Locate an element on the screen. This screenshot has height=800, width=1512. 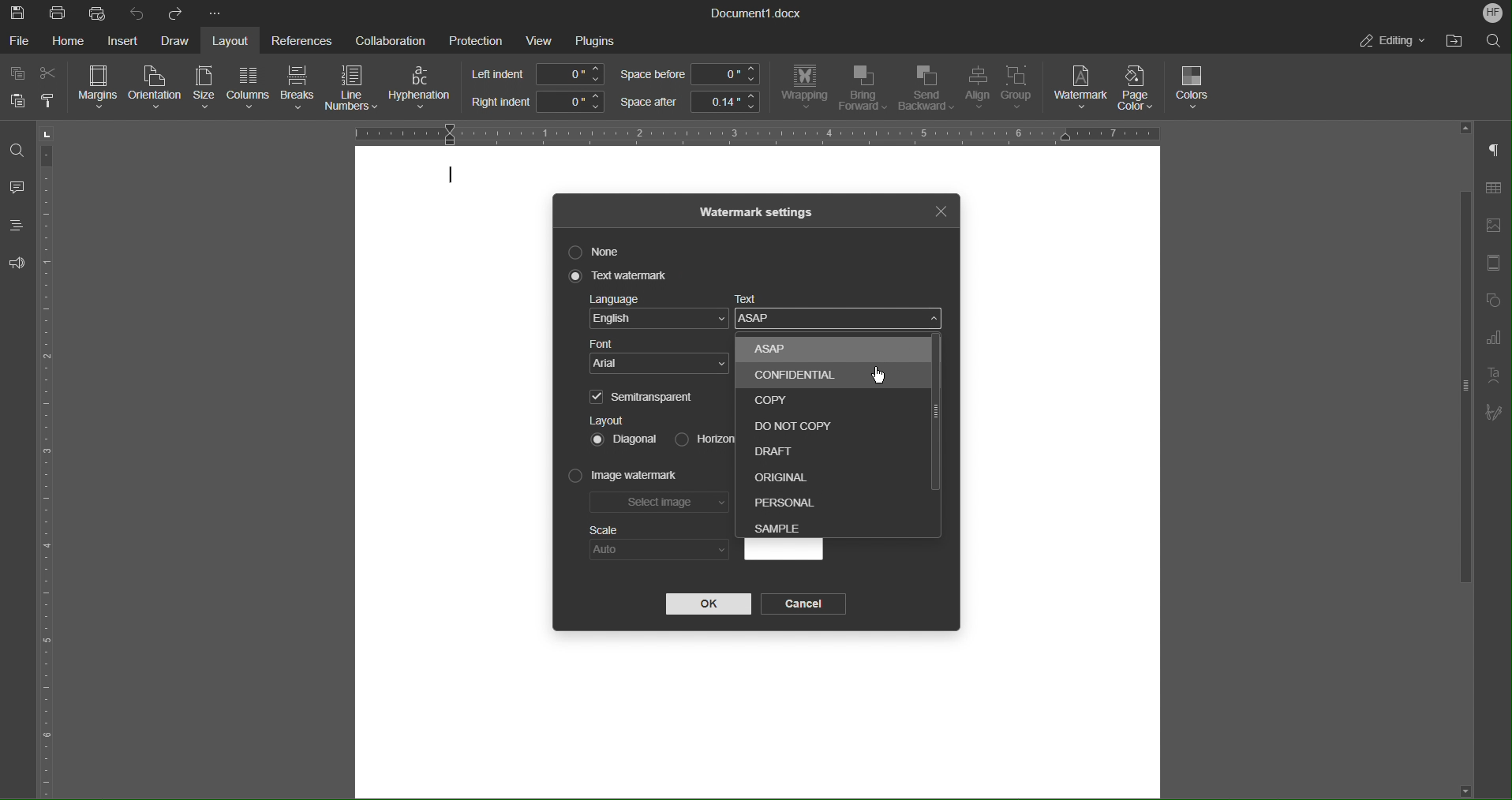
Breaks is located at coordinates (298, 89).